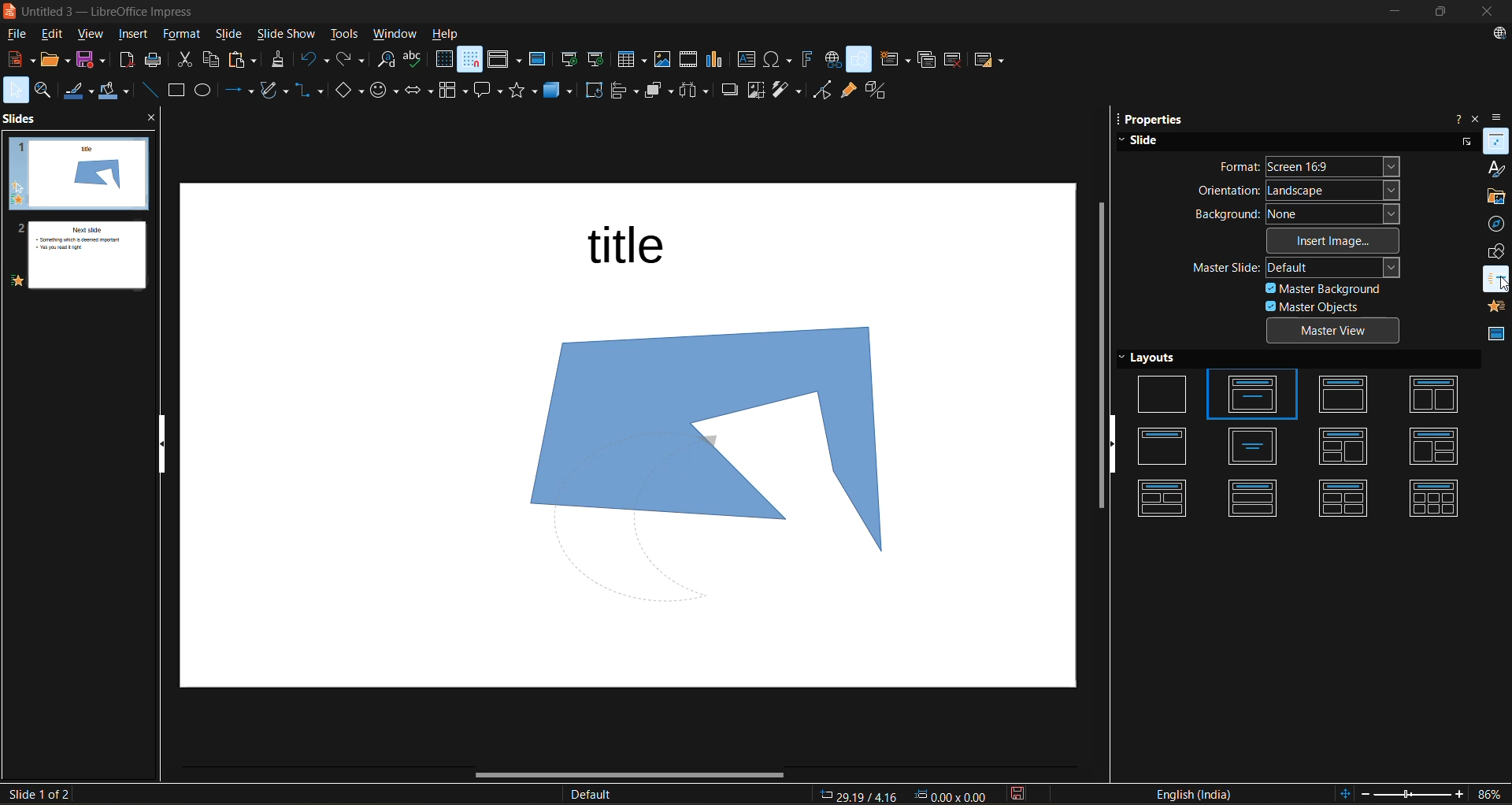 The image size is (1512, 805). Describe the element at coordinates (1446, 12) in the screenshot. I see `maximize` at that location.